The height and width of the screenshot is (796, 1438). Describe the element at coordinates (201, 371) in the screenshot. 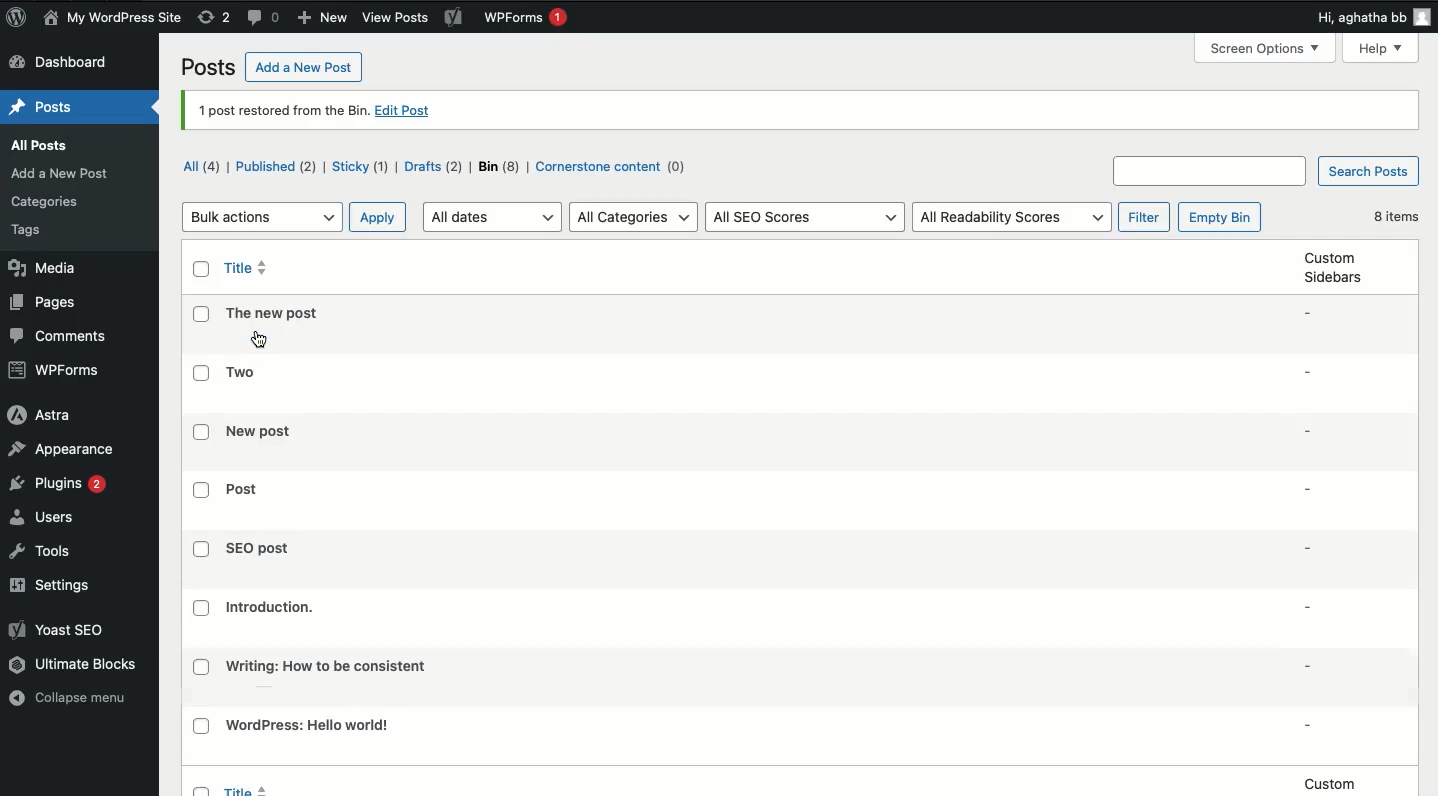

I see `Checkbox` at that location.